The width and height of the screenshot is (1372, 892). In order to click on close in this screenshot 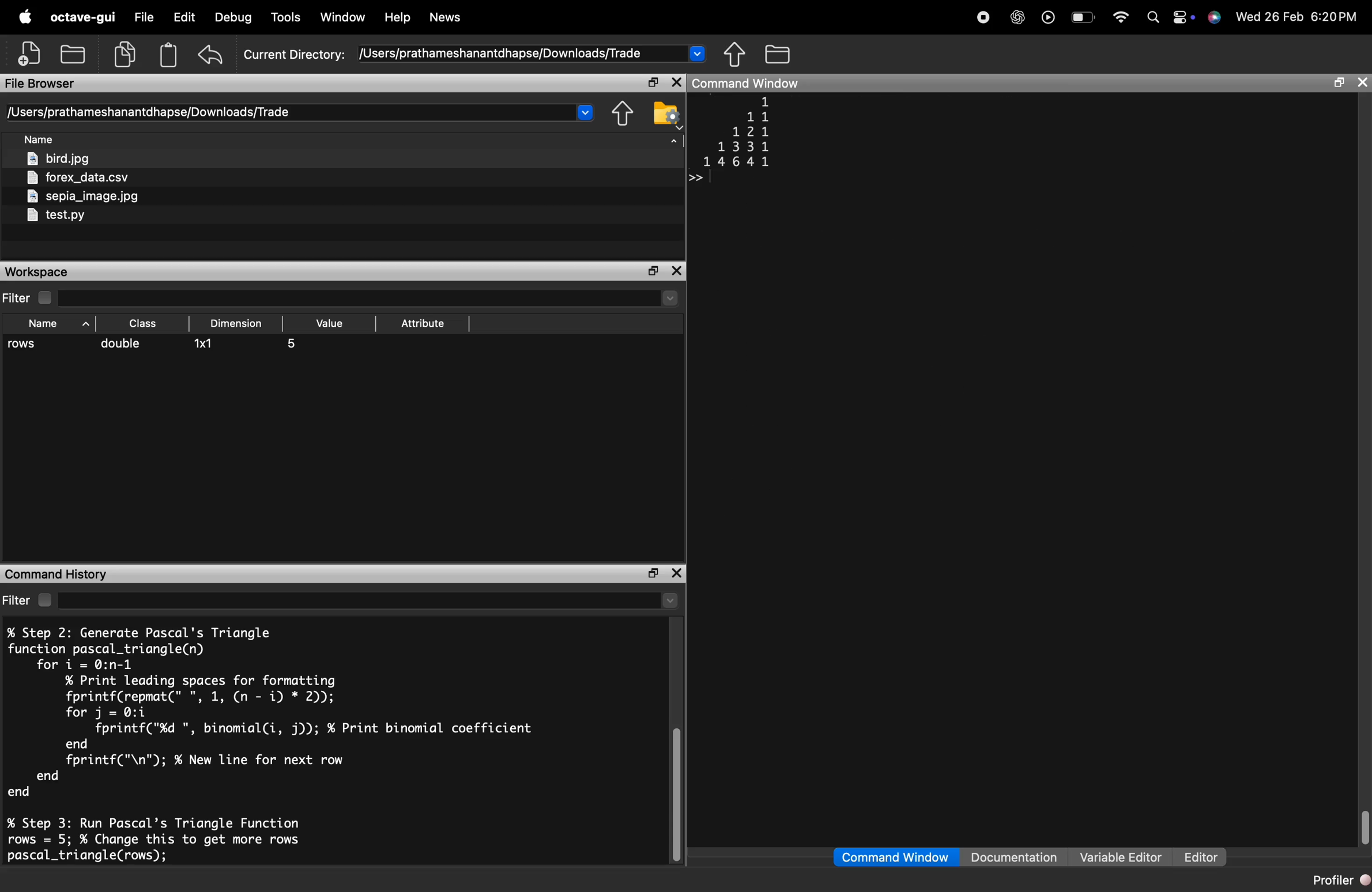, I will do `click(677, 574)`.